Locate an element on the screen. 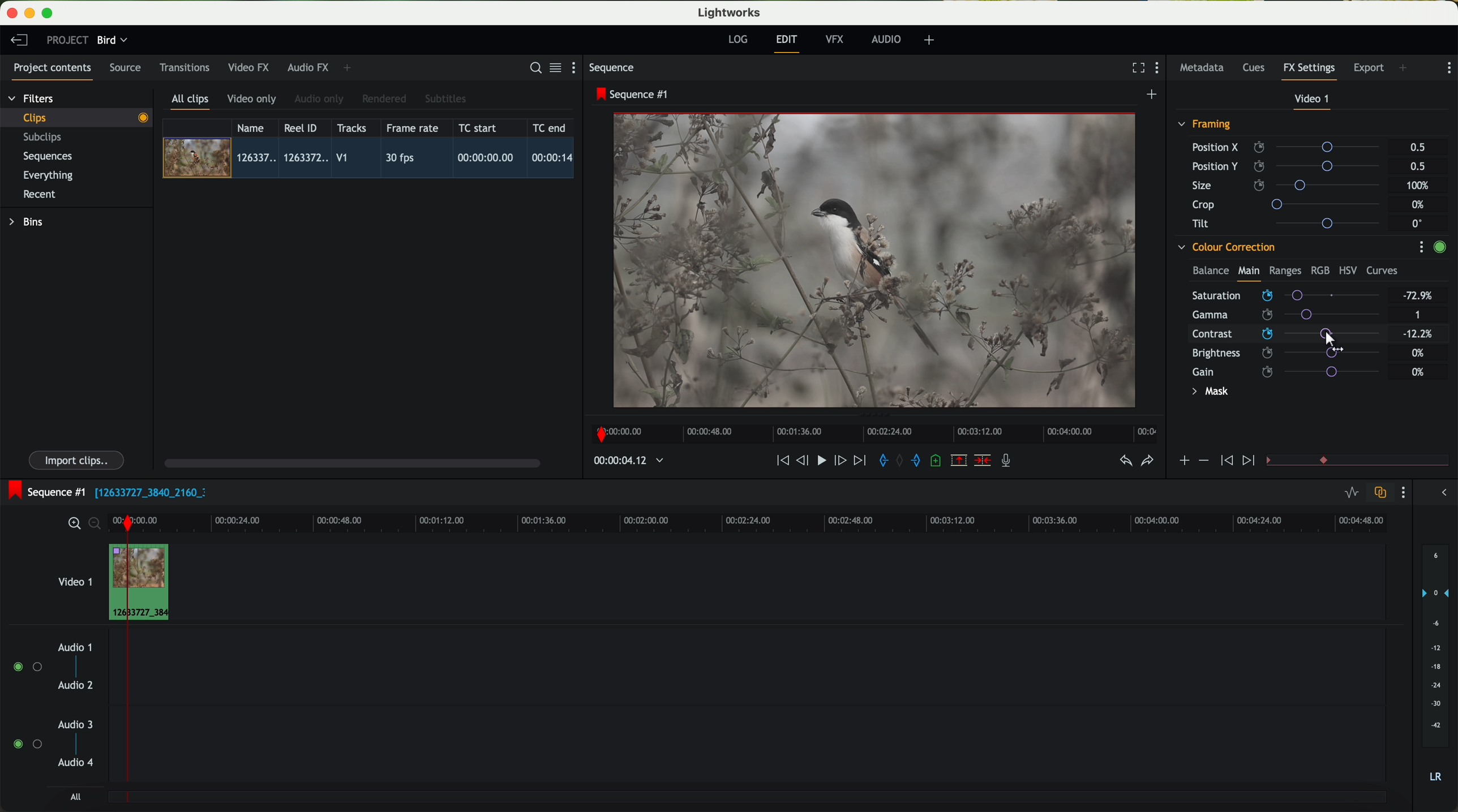 Image resolution: width=1458 pixels, height=812 pixels. VFX is located at coordinates (837, 40).